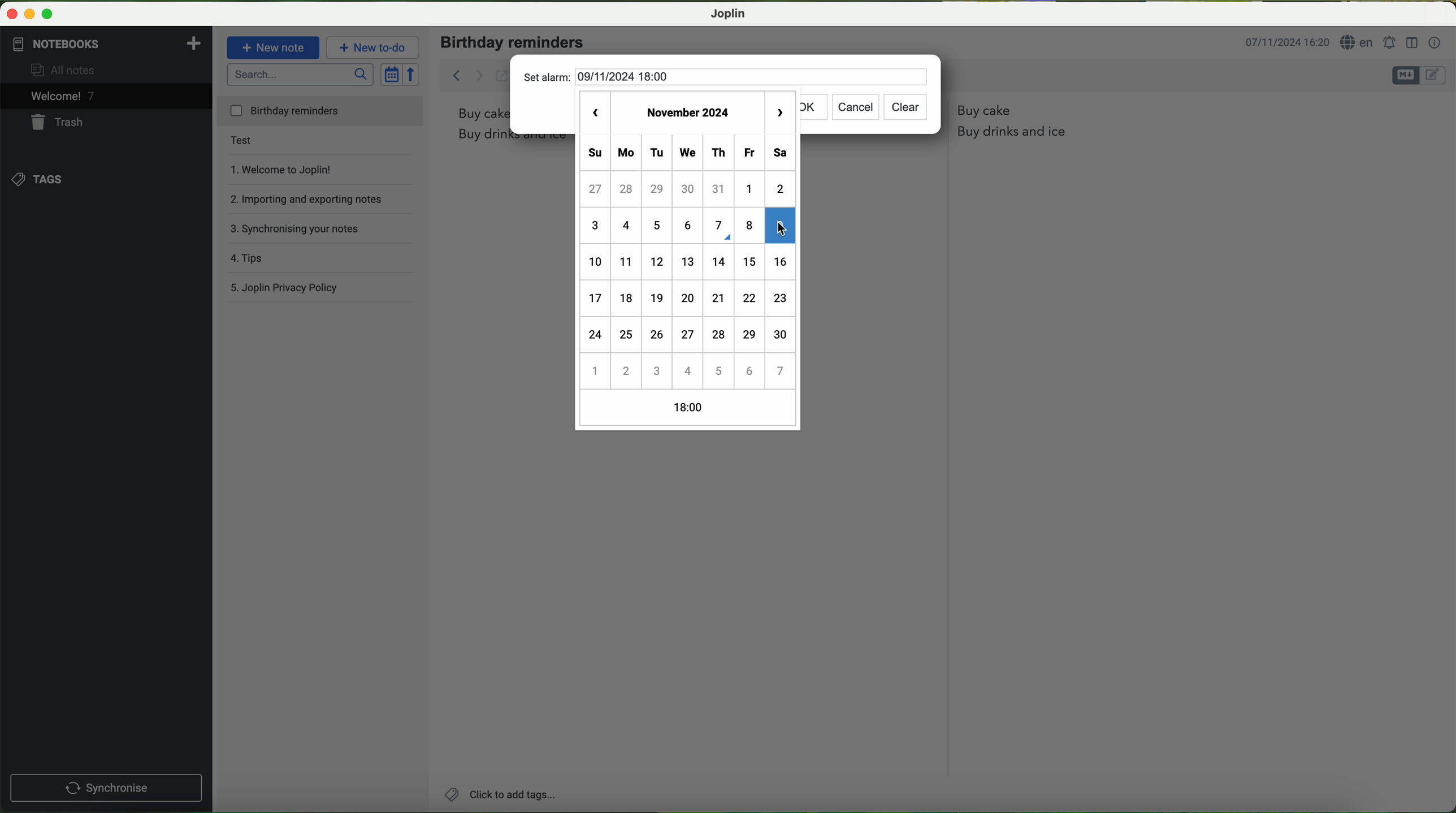 This screenshot has width=1456, height=813. Describe the element at coordinates (62, 123) in the screenshot. I see `trash` at that location.